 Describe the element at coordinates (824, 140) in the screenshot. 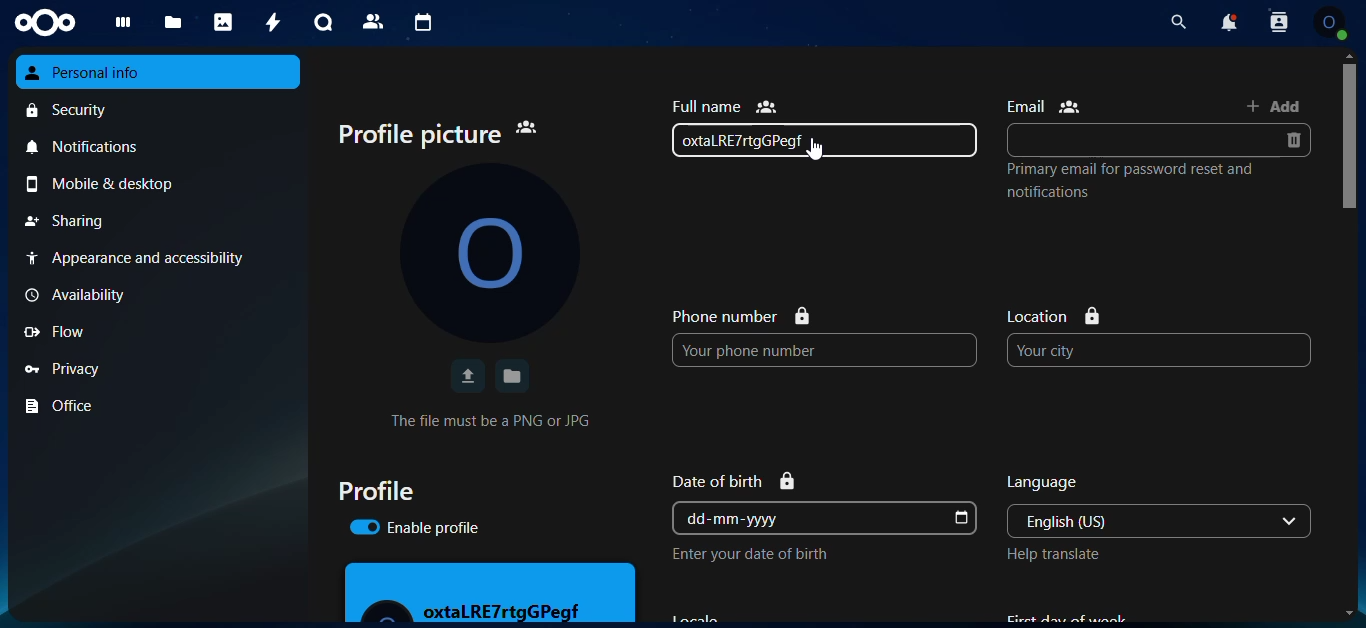

I see `oxtalLRE7rtgGPegf` at that location.